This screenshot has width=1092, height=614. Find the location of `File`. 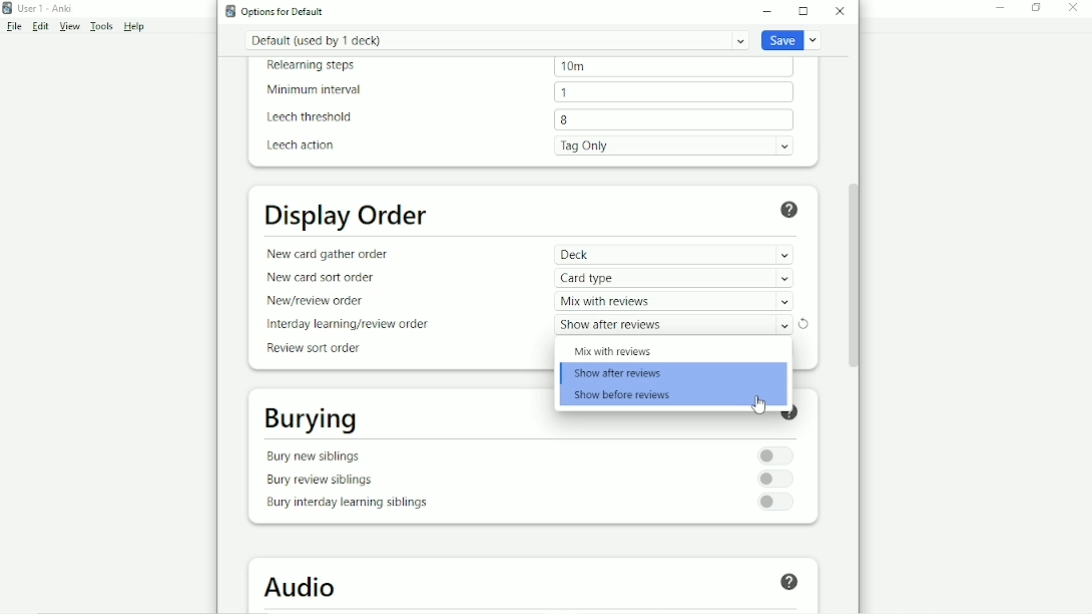

File is located at coordinates (14, 26).